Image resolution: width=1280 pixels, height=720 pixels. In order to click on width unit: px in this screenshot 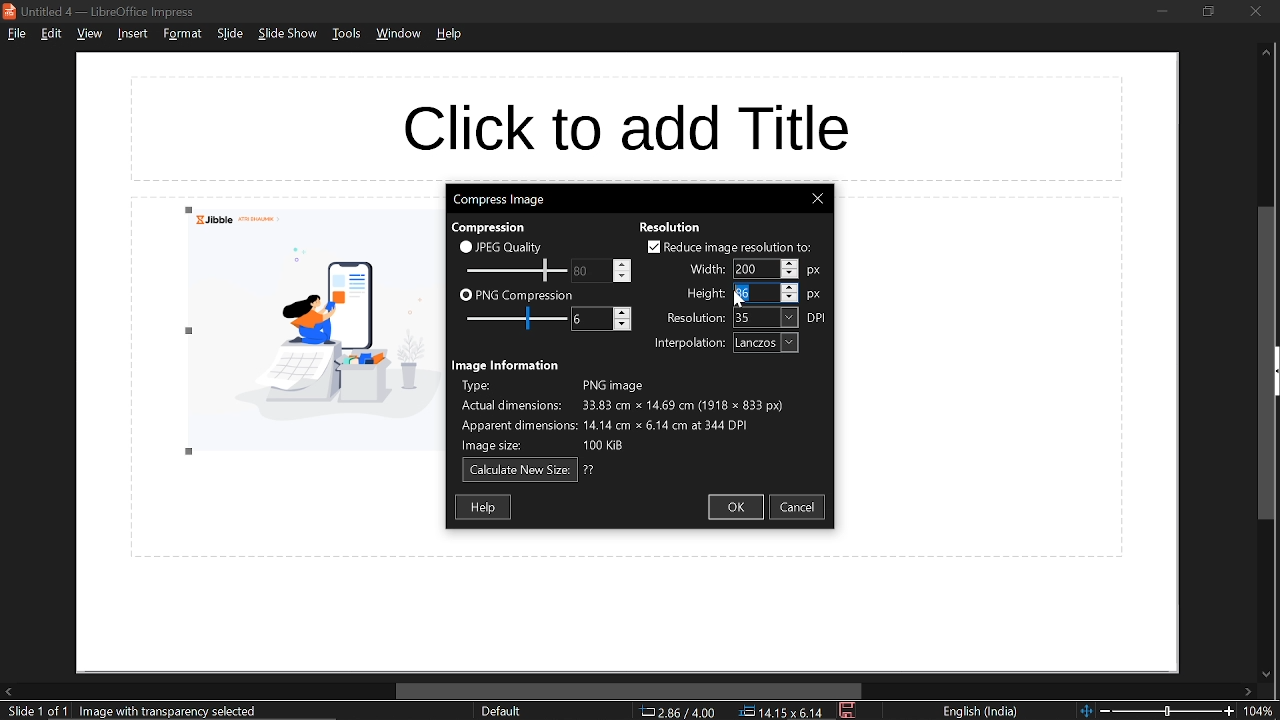, I will do `click(815, 271)`.